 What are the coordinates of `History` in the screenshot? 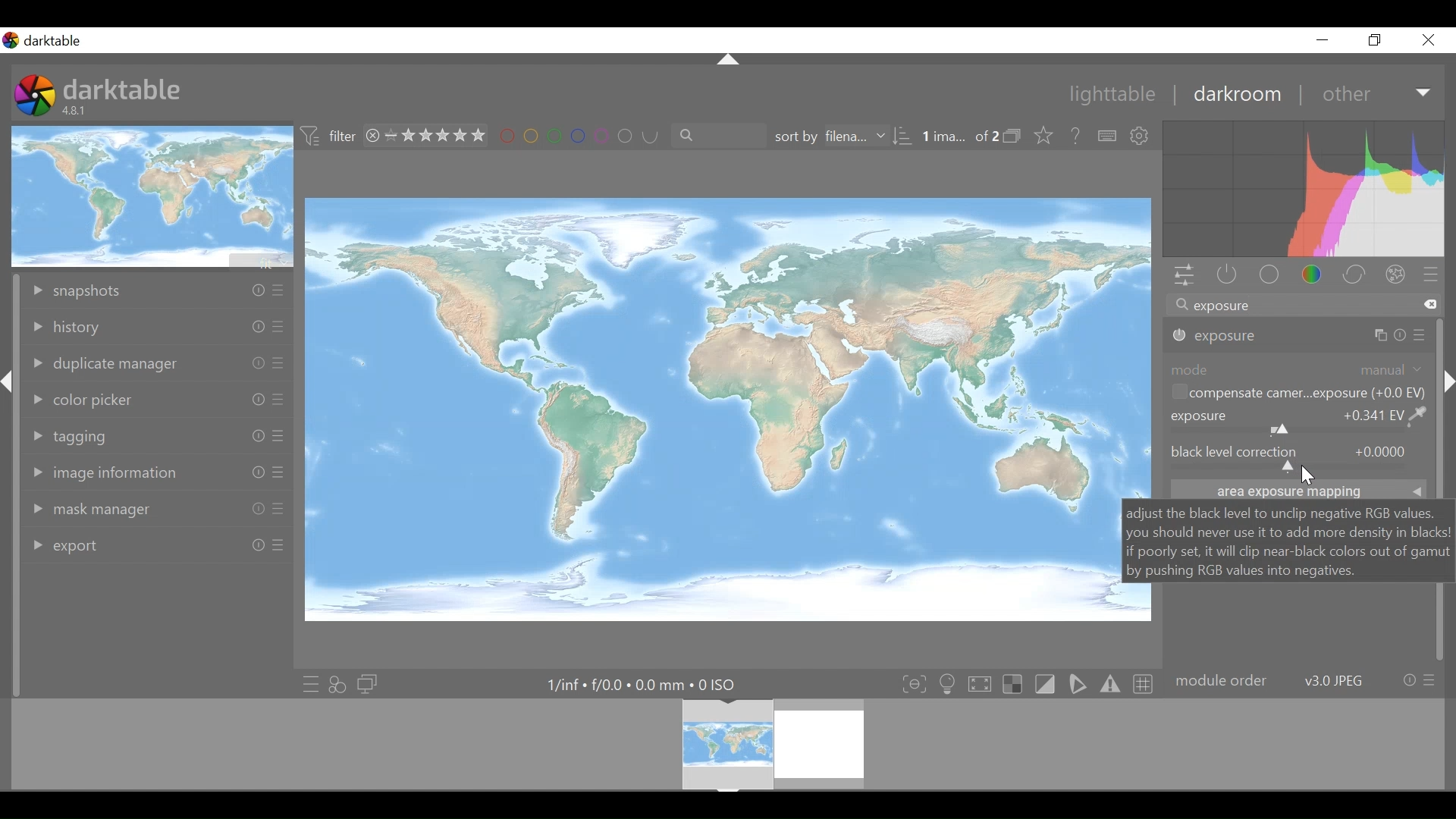 It's located at (157, 327).